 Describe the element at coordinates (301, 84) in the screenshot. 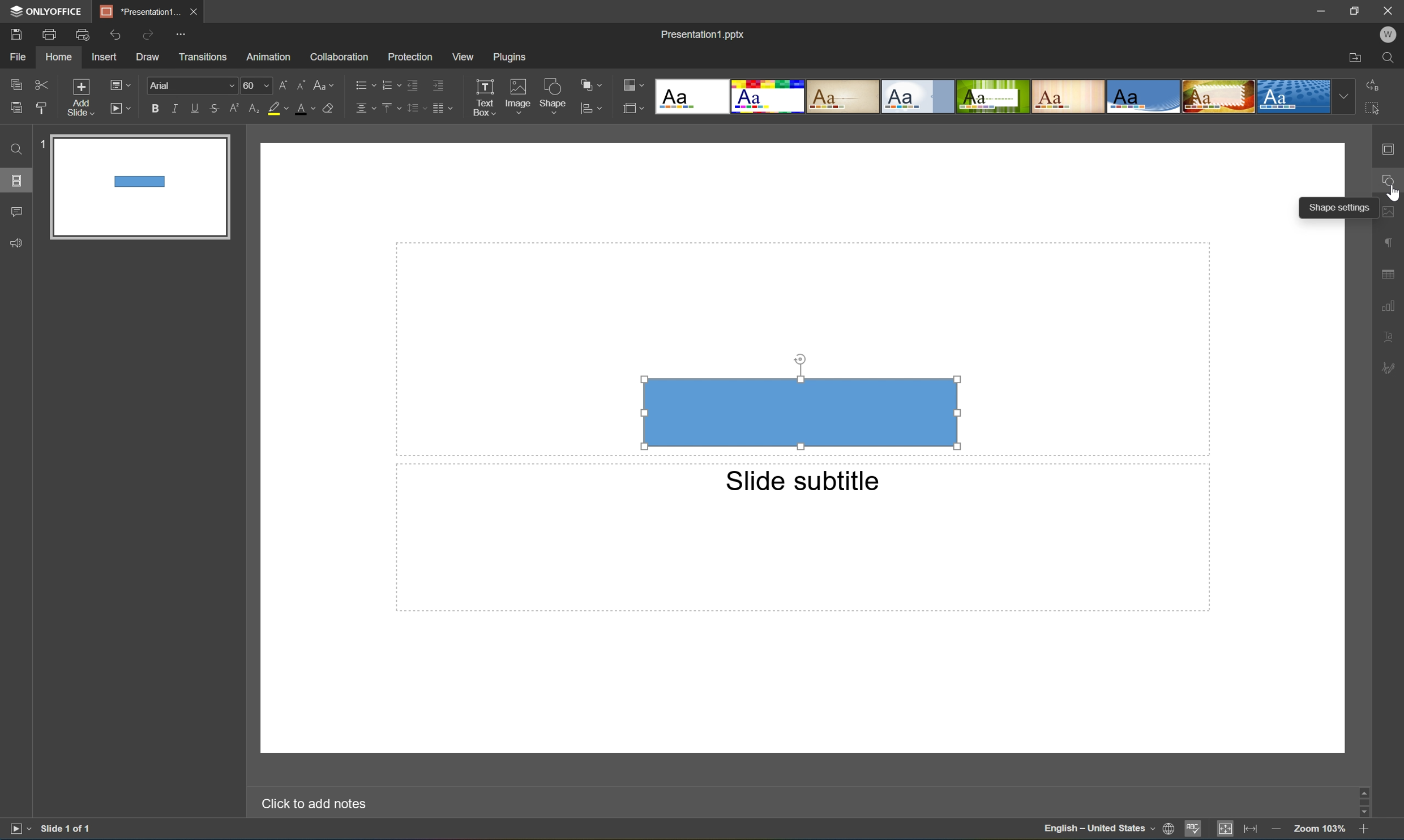

I see `Decrement font size` at that location.